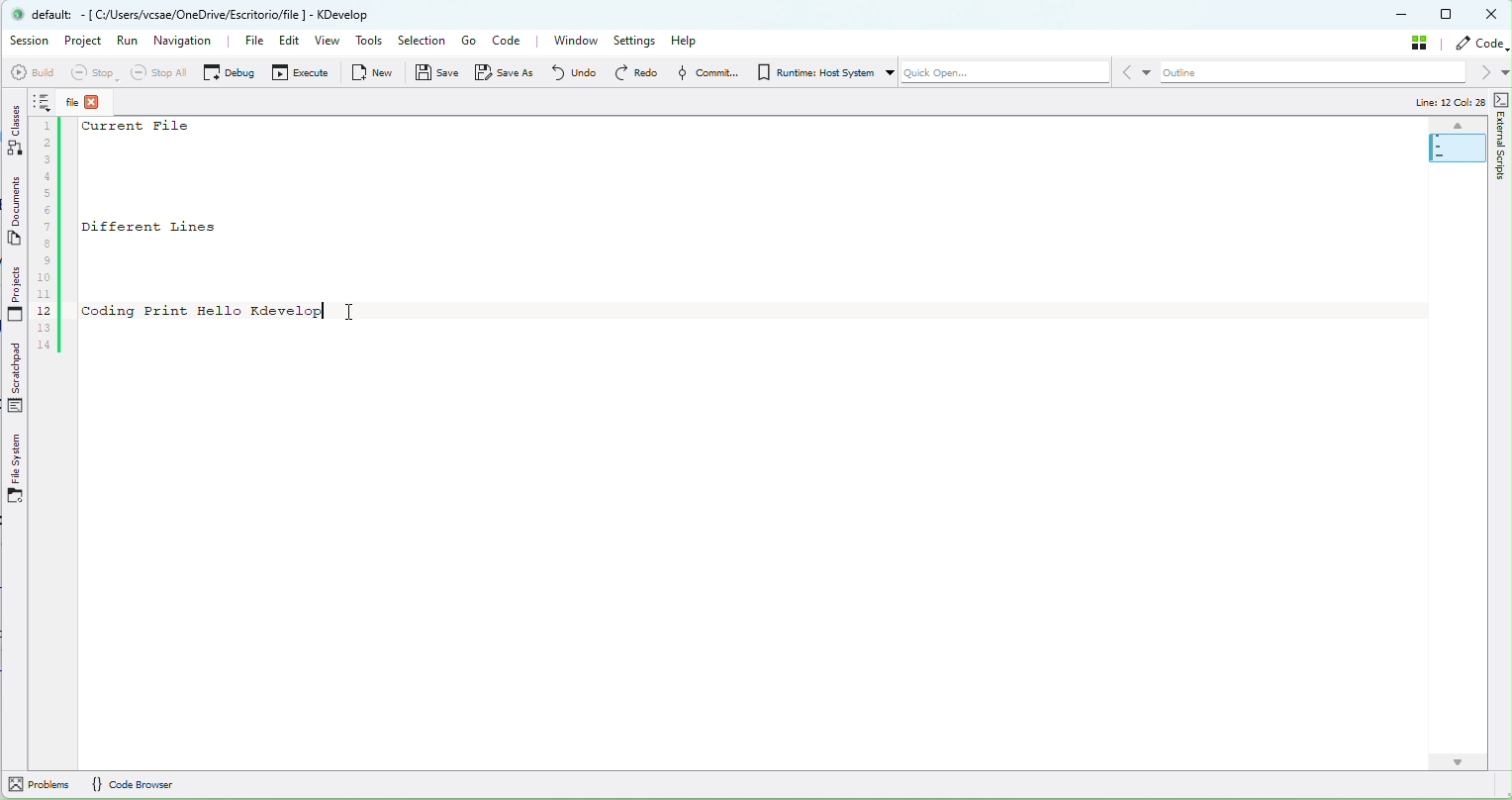 This screenshot has width=1512, height=800. Describe the element at coordinates (1458, 757) in the screenshot. I see `Scroll Down Arrow` at that location.